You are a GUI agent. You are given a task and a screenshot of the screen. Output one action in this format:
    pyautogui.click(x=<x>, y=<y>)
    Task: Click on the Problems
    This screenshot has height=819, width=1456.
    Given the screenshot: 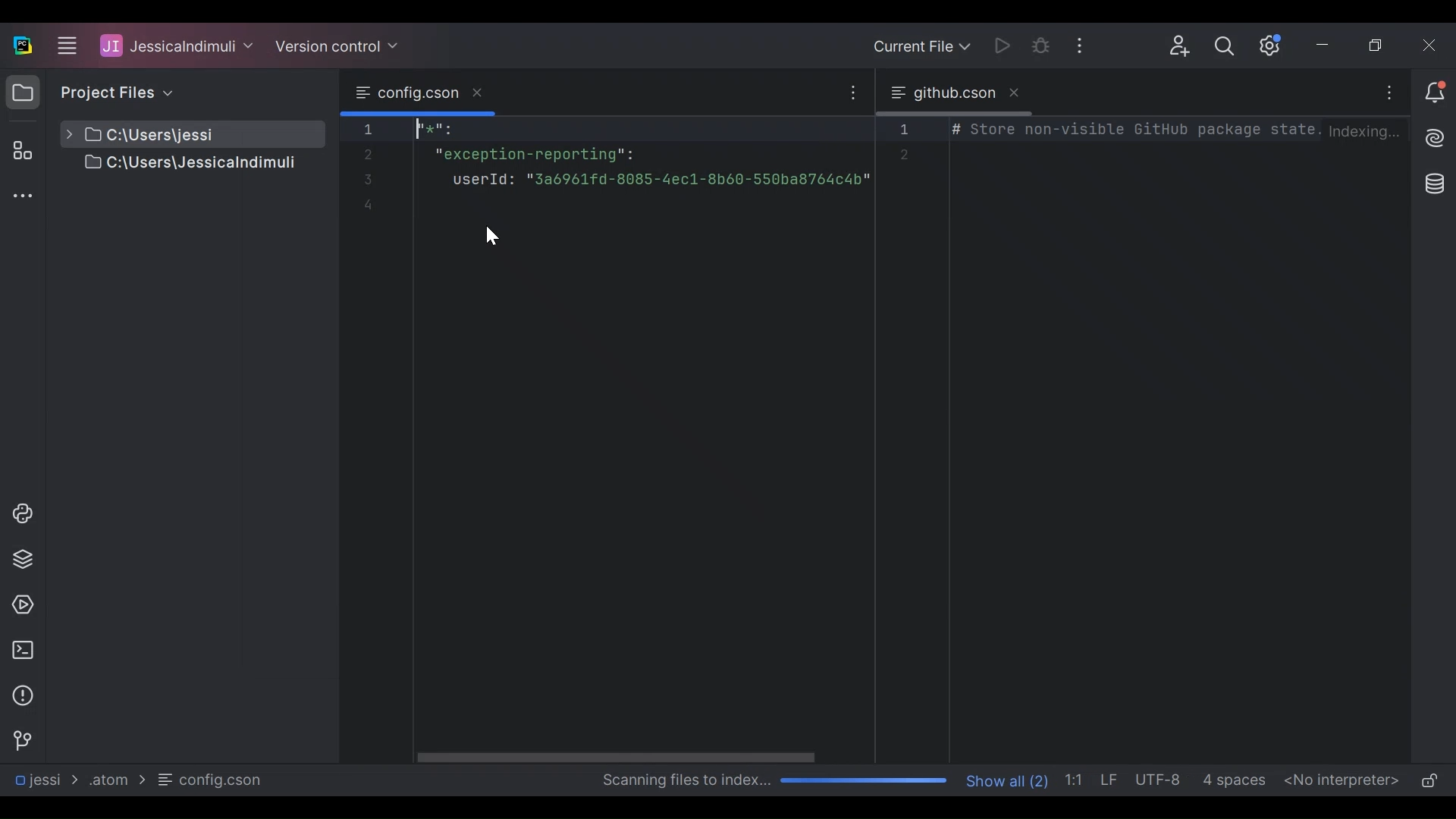 What is the action you would take?
    pyautogui.click(x=23, y=695)
    